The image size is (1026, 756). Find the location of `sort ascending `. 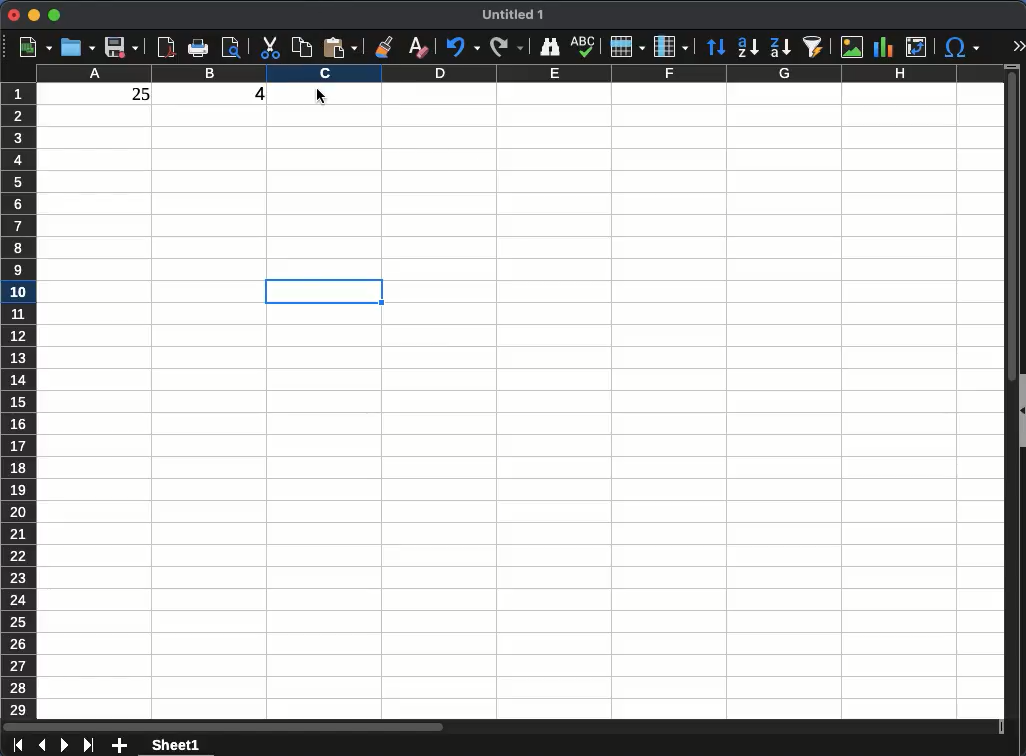

sort ascending  is located at coordinates (748, 49).